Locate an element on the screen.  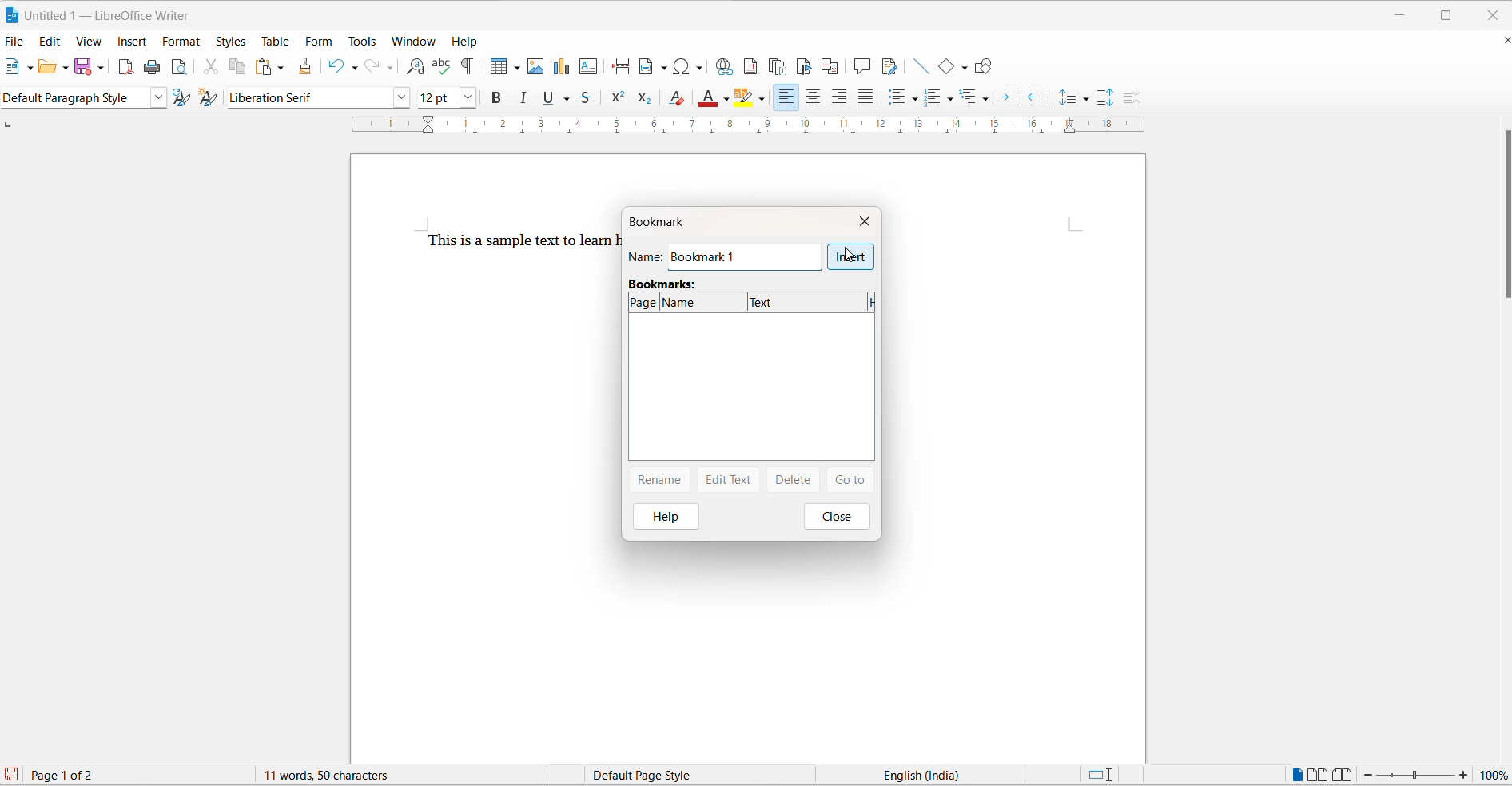
book view is located at coordinates (1343, 774).